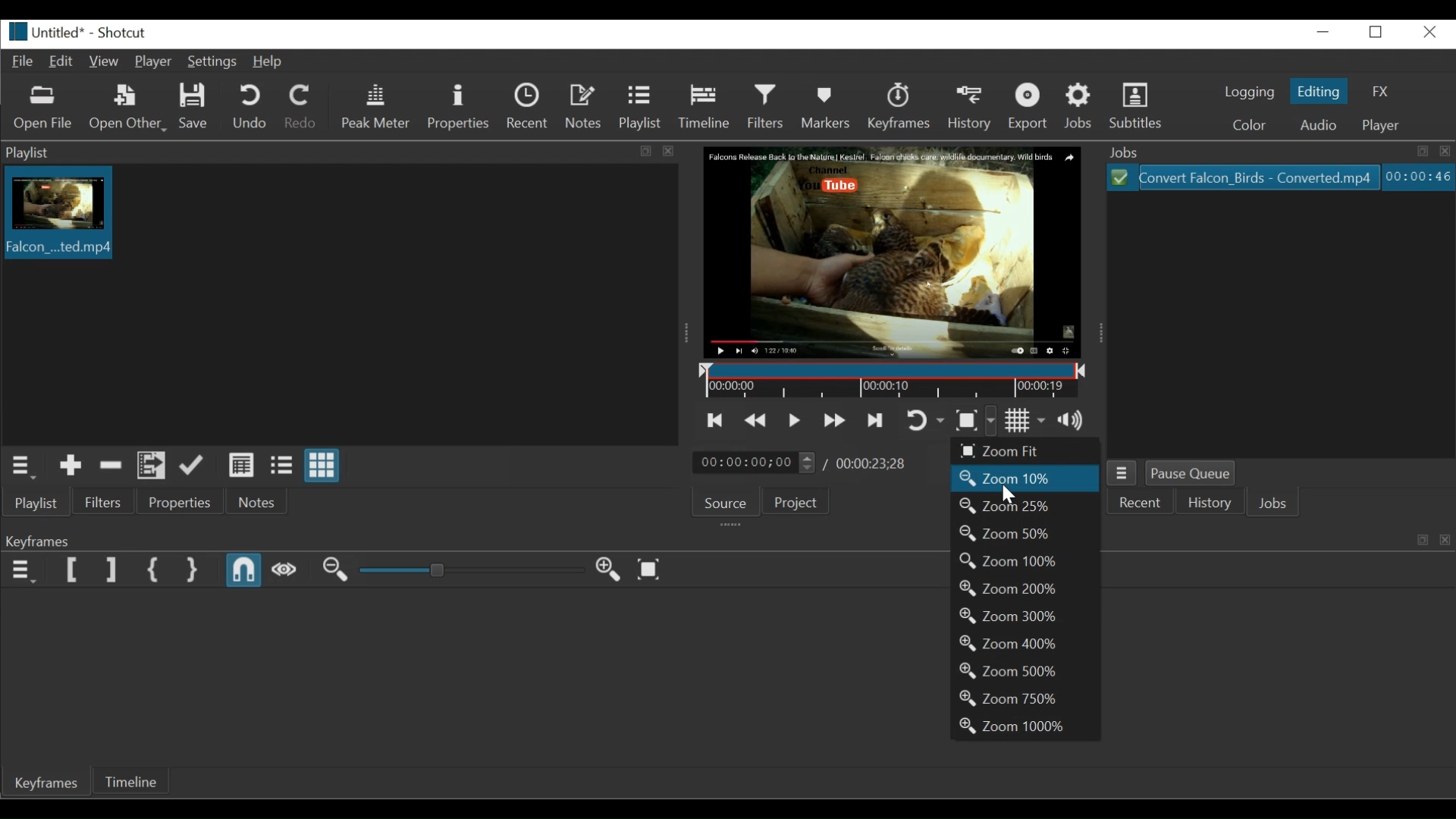 This screenshot has width=1456, height=819. What do you see at coordinates (1028, 107) in the screenshot?
I see `Export` at bounding box center [1028, 107].